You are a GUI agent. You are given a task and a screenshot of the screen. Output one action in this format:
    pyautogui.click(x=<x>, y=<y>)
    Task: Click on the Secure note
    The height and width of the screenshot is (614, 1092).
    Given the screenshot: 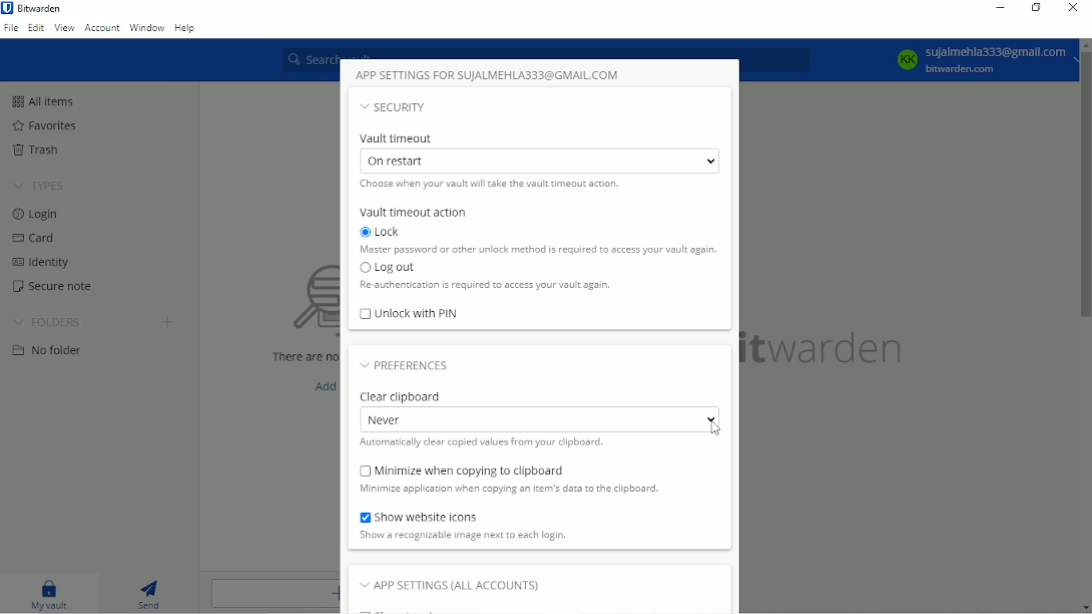 What is the action you would take?
    pyautogui.click(x=53, y=286)
    